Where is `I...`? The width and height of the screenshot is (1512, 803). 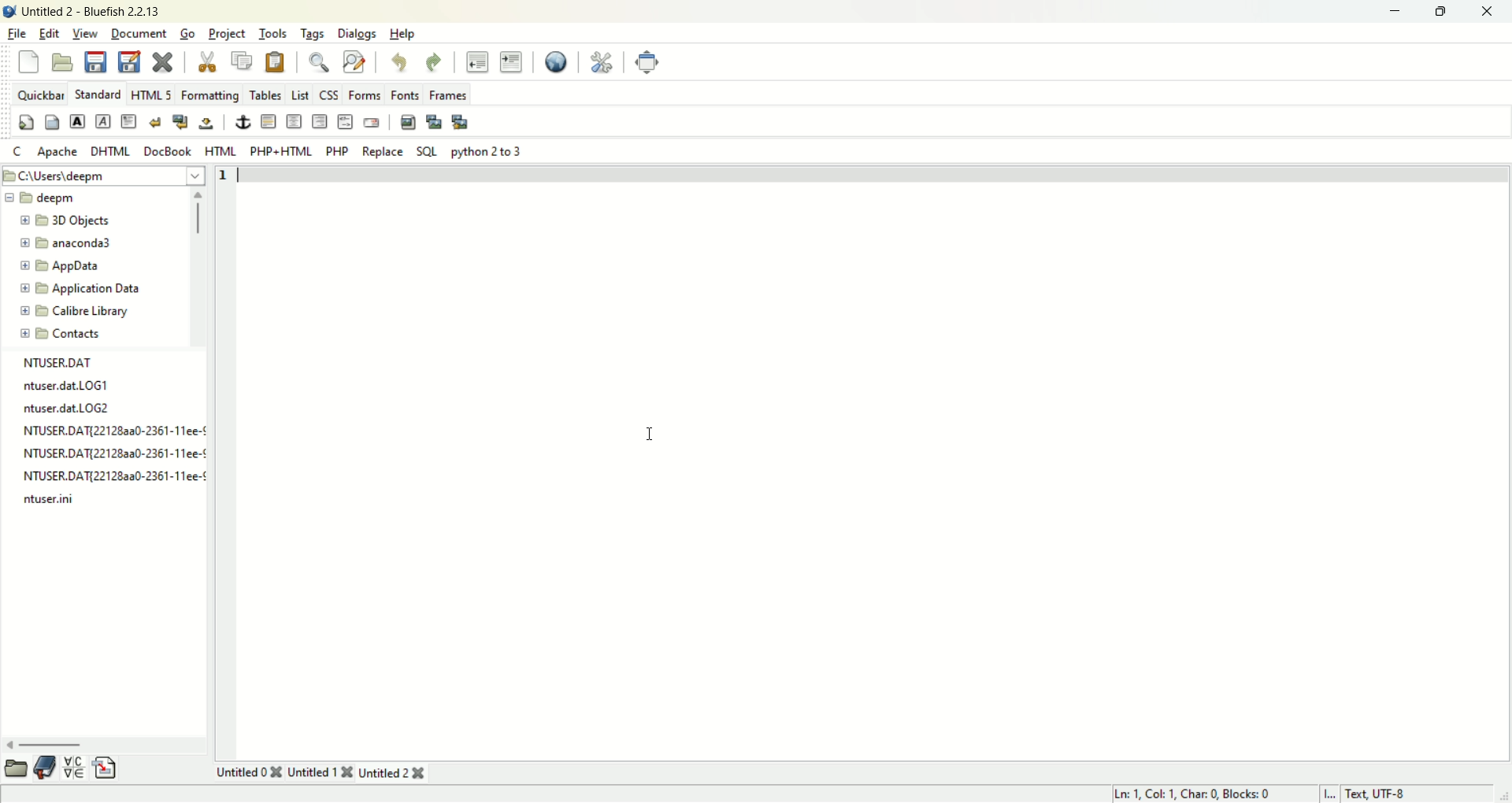
I... is located at coordinates (1331, 793).